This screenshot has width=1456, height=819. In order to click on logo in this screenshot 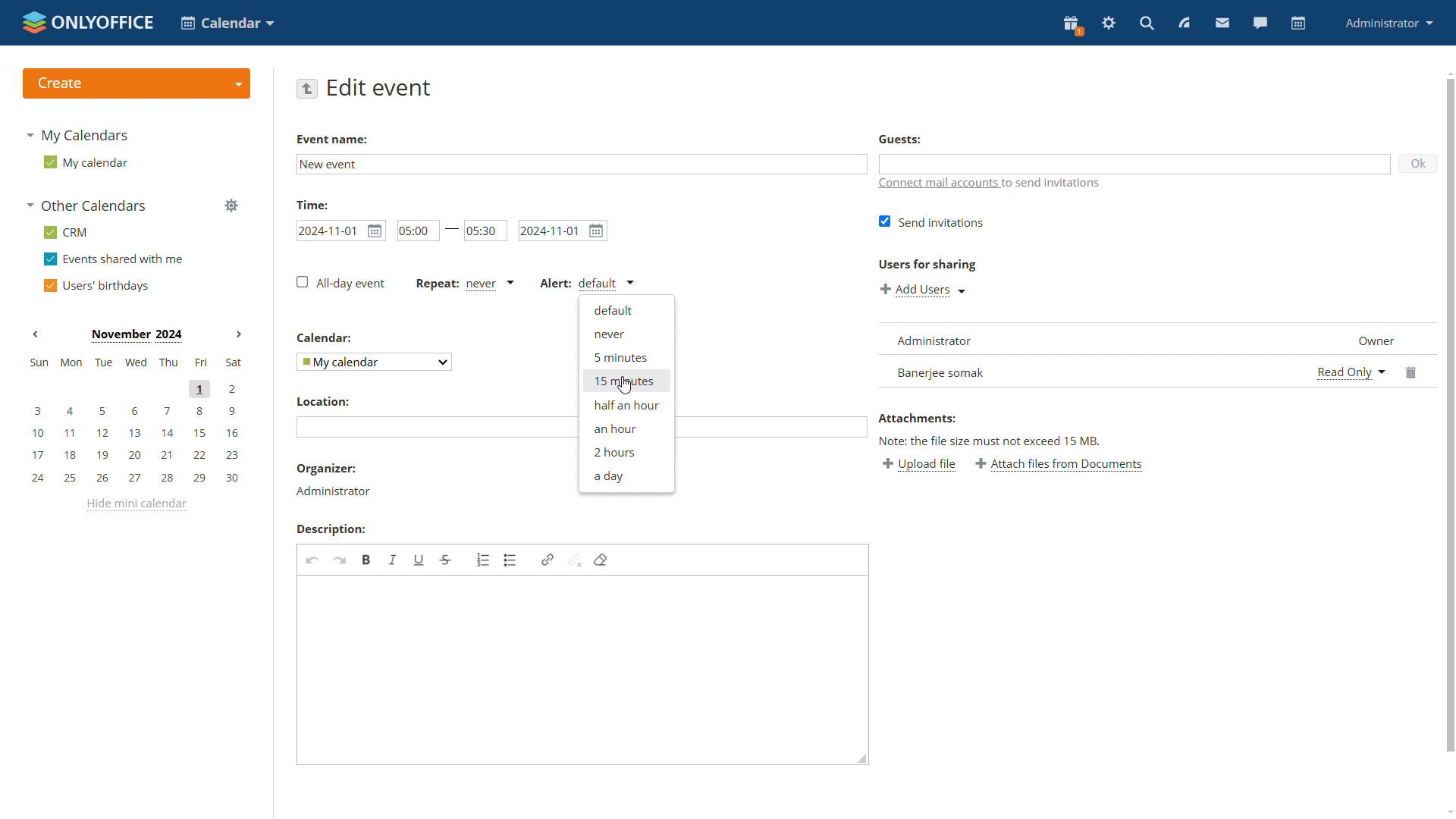, I will do `click(89, 23)`.